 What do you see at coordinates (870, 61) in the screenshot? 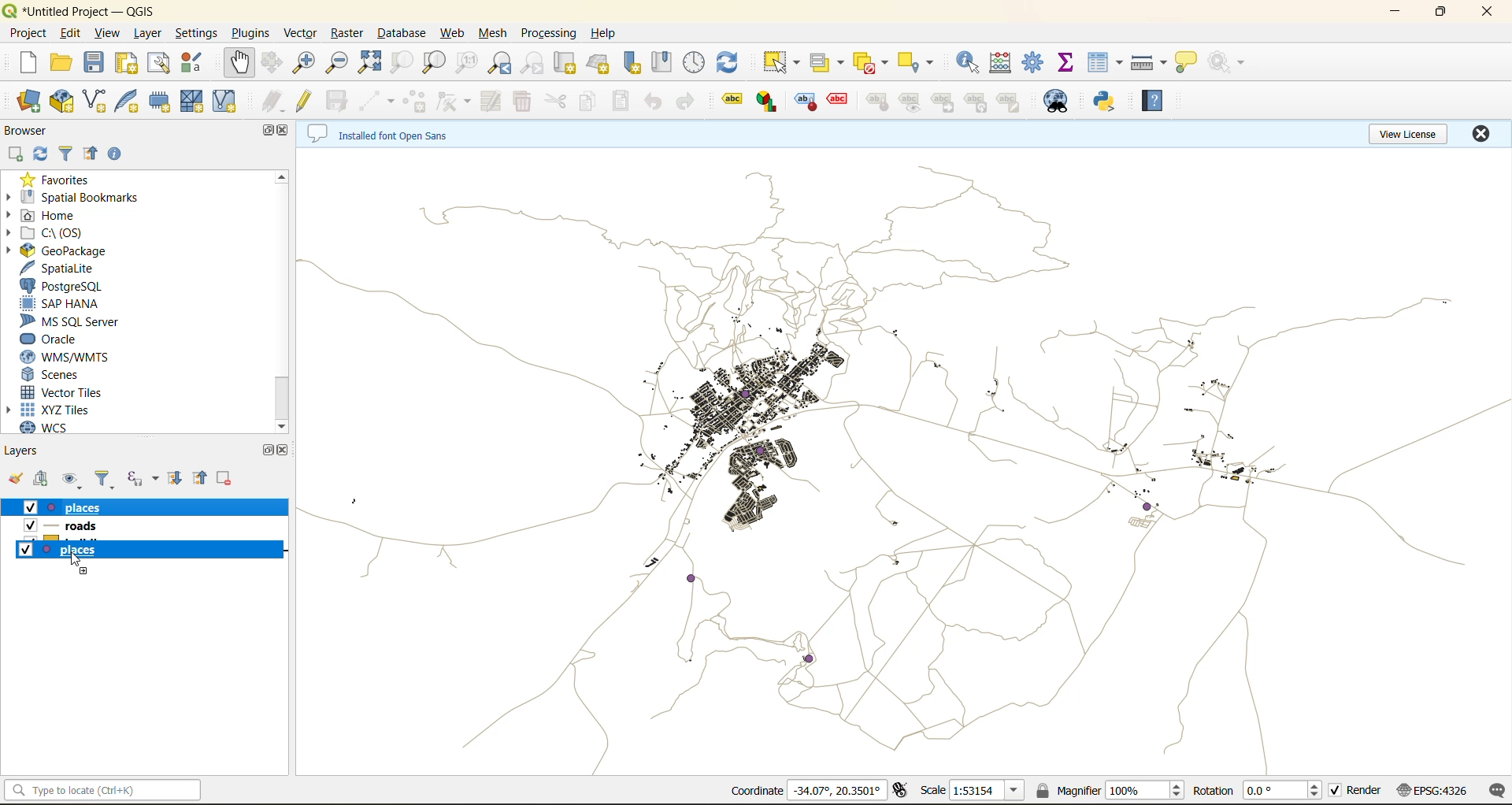
I see `deselect value` at bounding box center [870, 61].